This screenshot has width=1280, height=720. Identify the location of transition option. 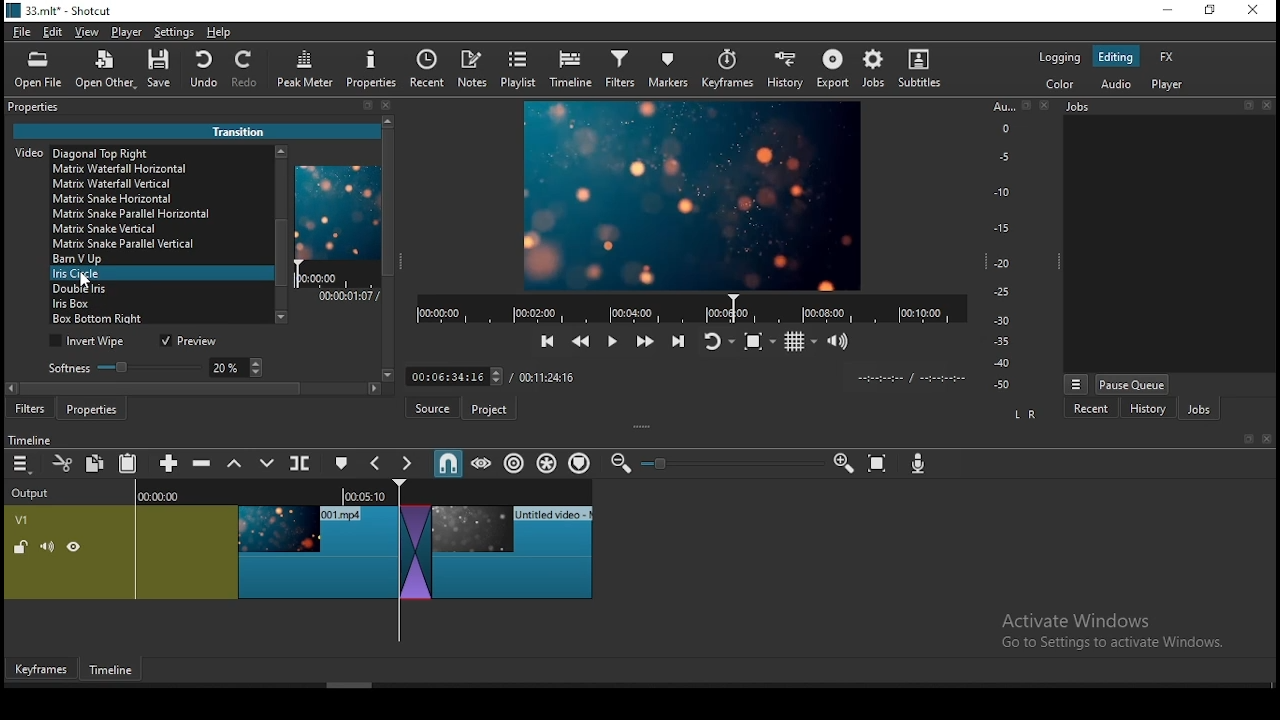
(158, 291).